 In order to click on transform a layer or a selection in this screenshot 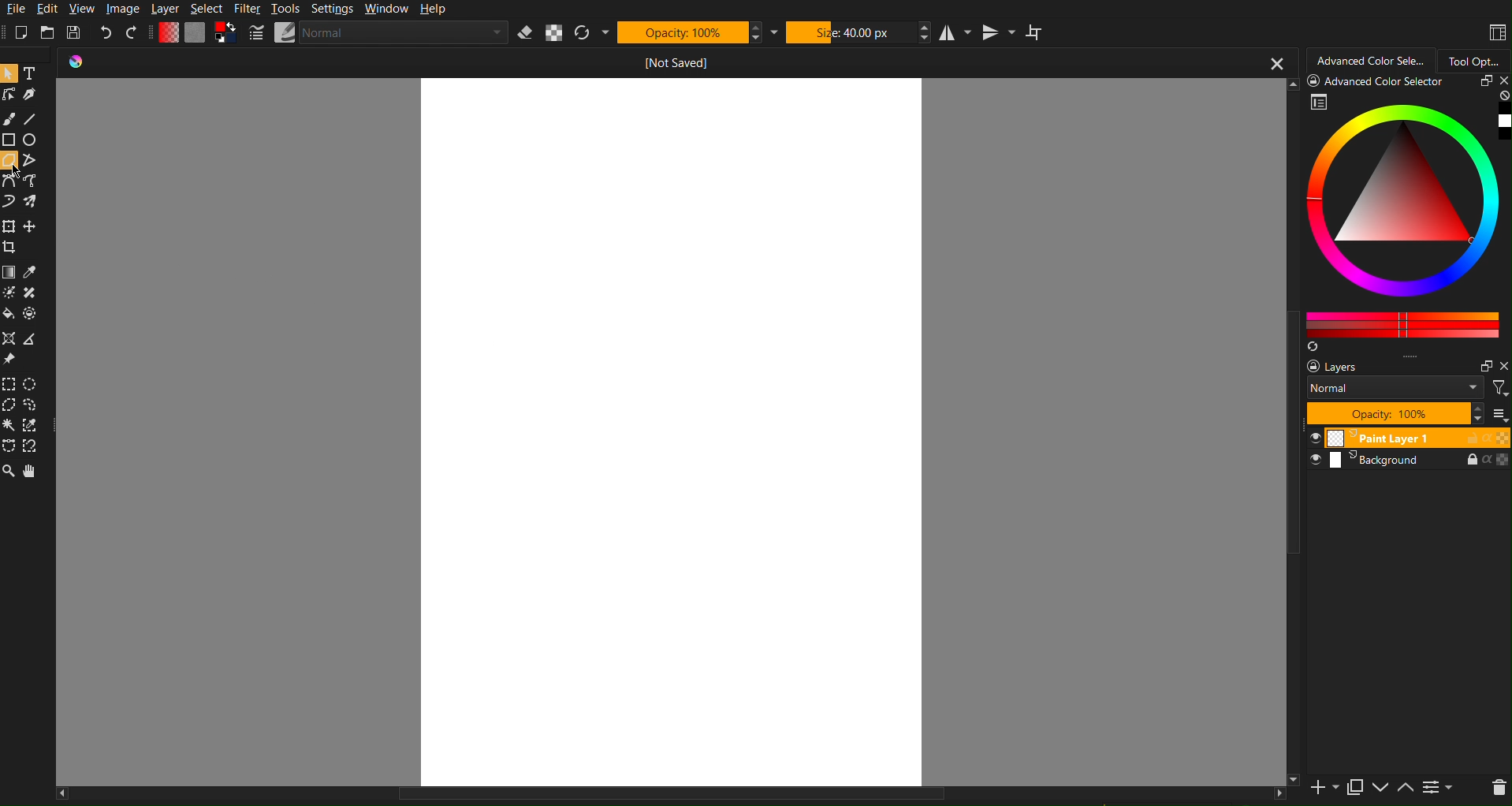, I will do `click(9, 226)`.